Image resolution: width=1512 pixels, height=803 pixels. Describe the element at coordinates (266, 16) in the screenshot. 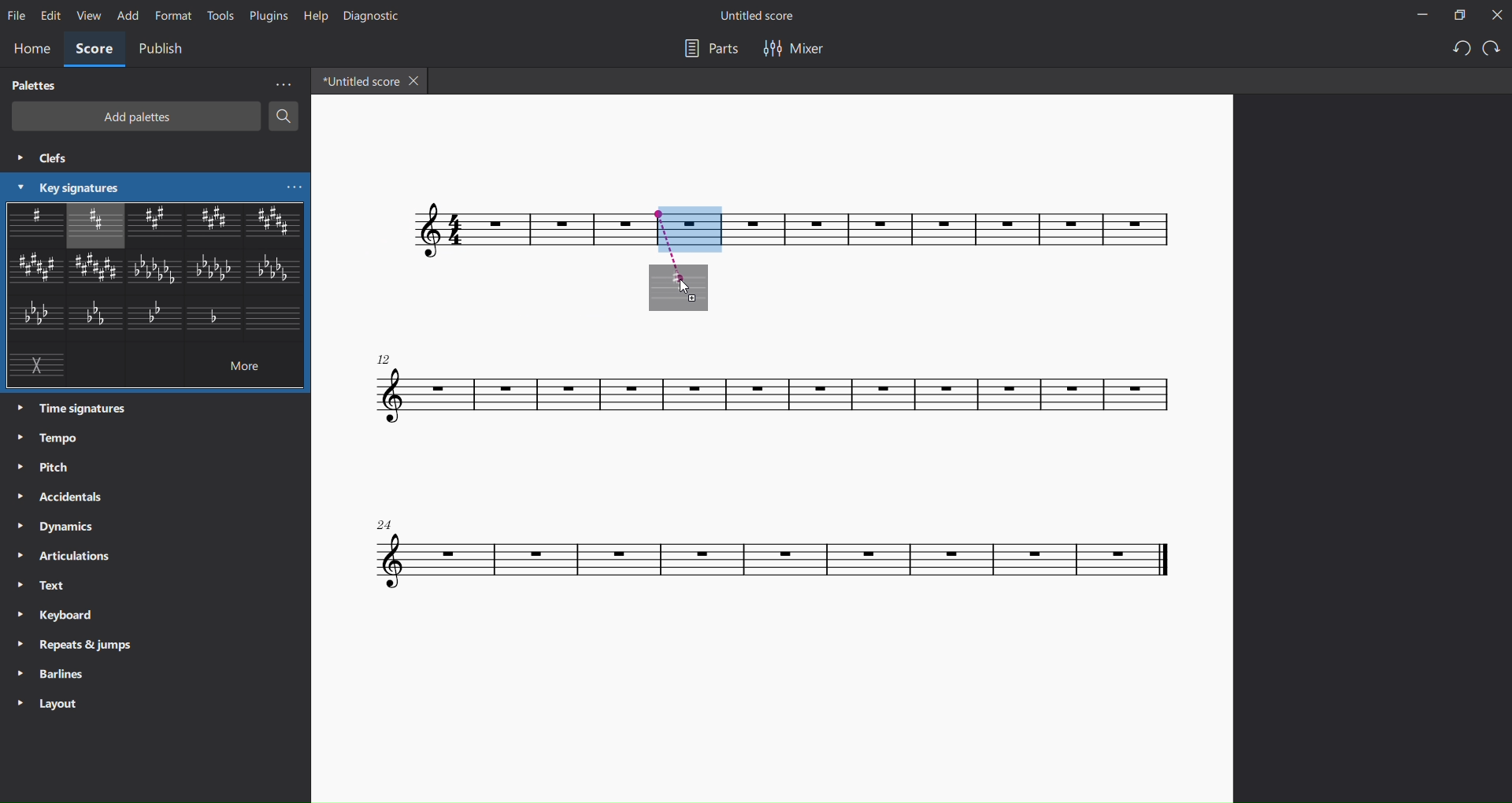

I see `plugins` at that location.